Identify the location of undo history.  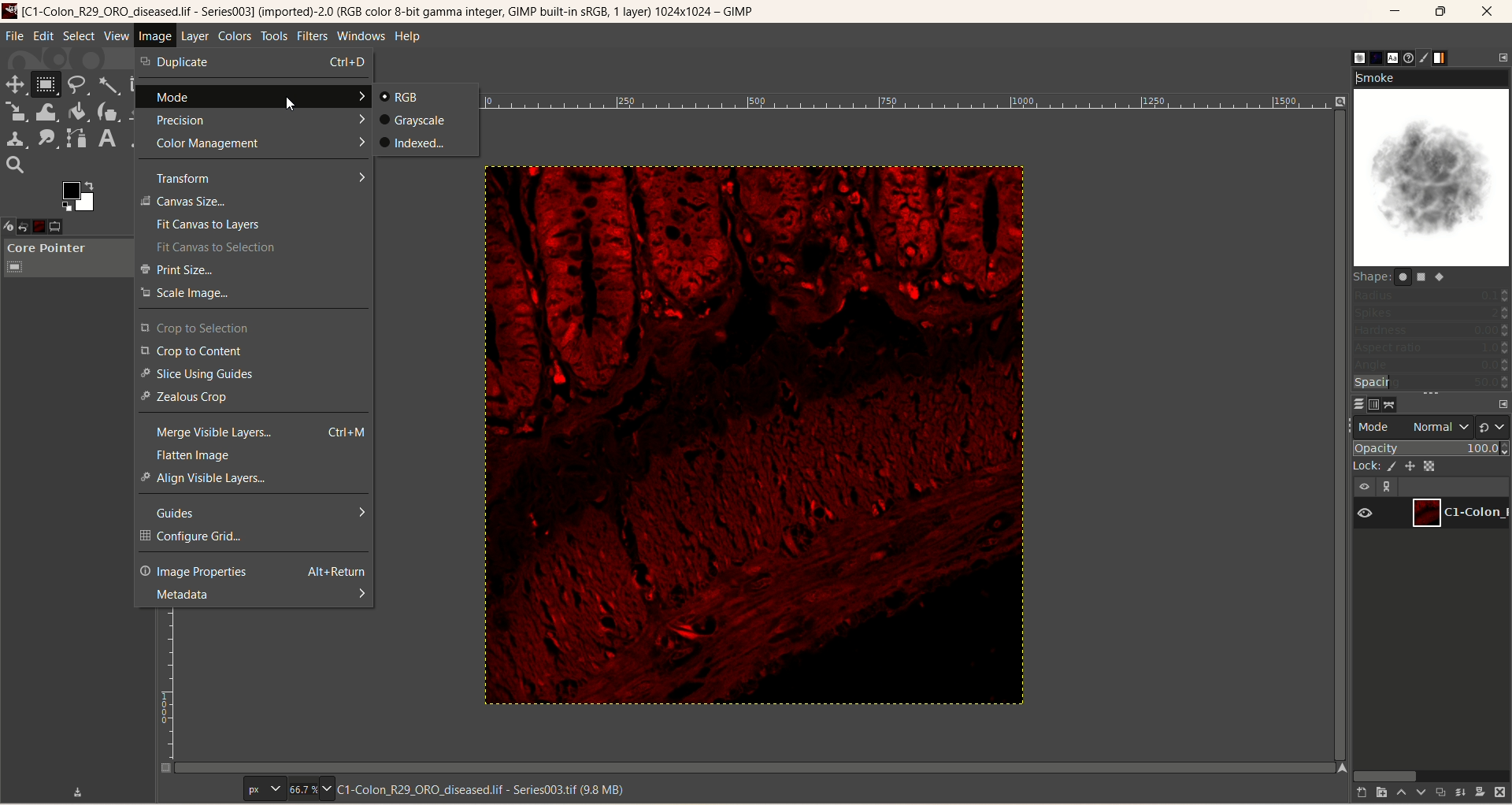
(24, 227).